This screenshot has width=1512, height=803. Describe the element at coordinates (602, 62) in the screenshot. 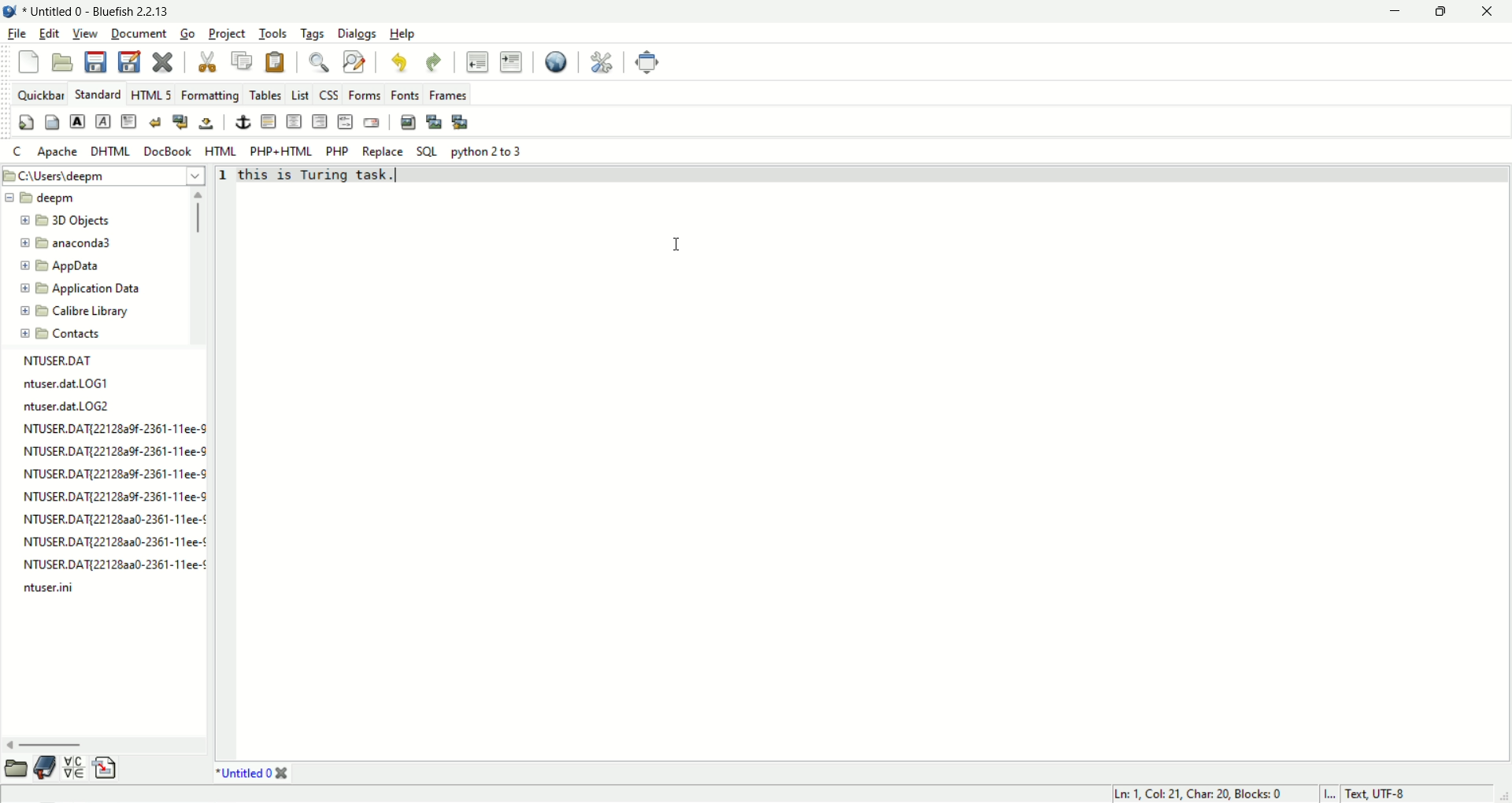

I see `preferences` at that location.